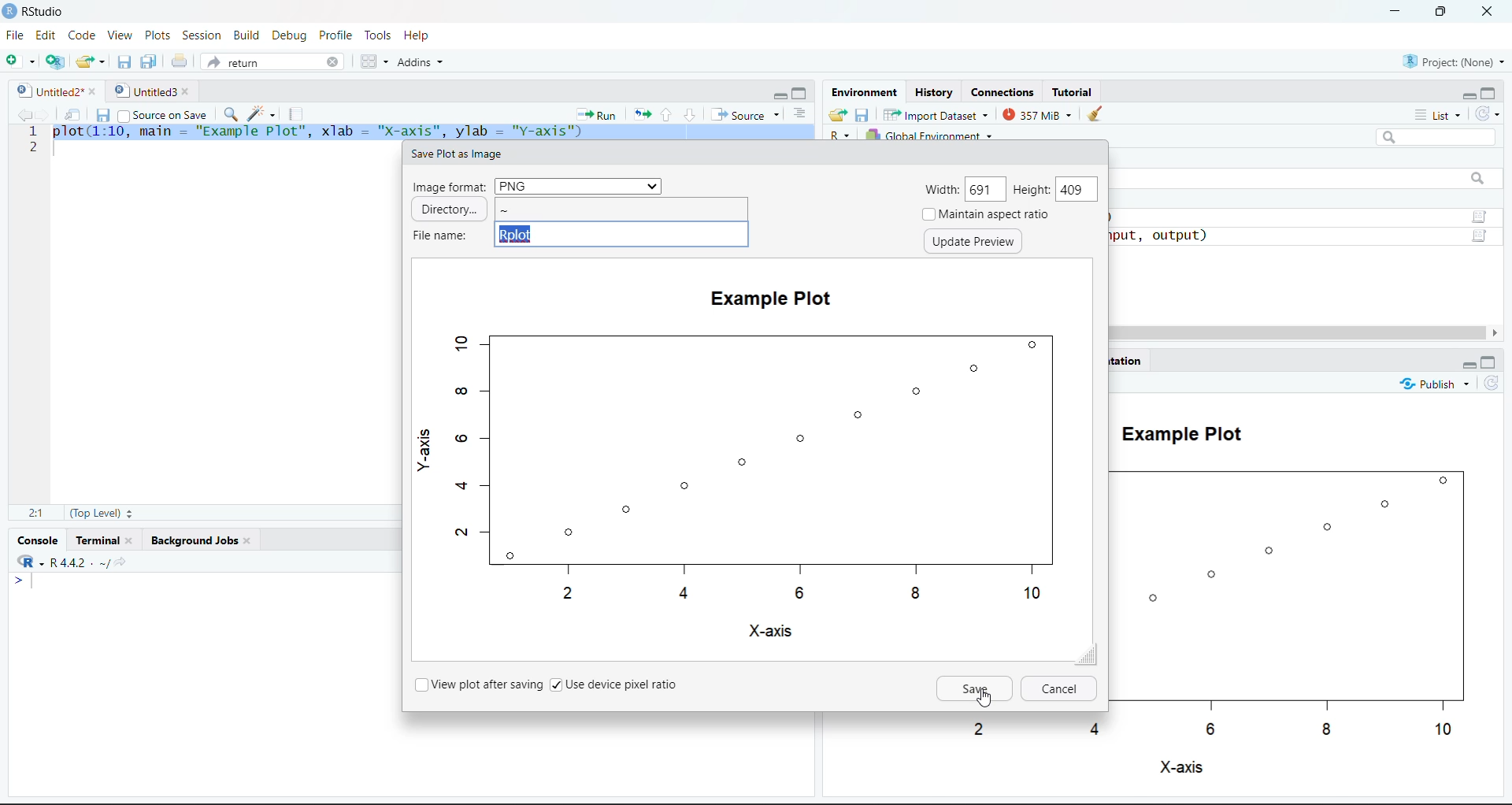  I want to click on Use device pixel ratio, so click(618, 684).